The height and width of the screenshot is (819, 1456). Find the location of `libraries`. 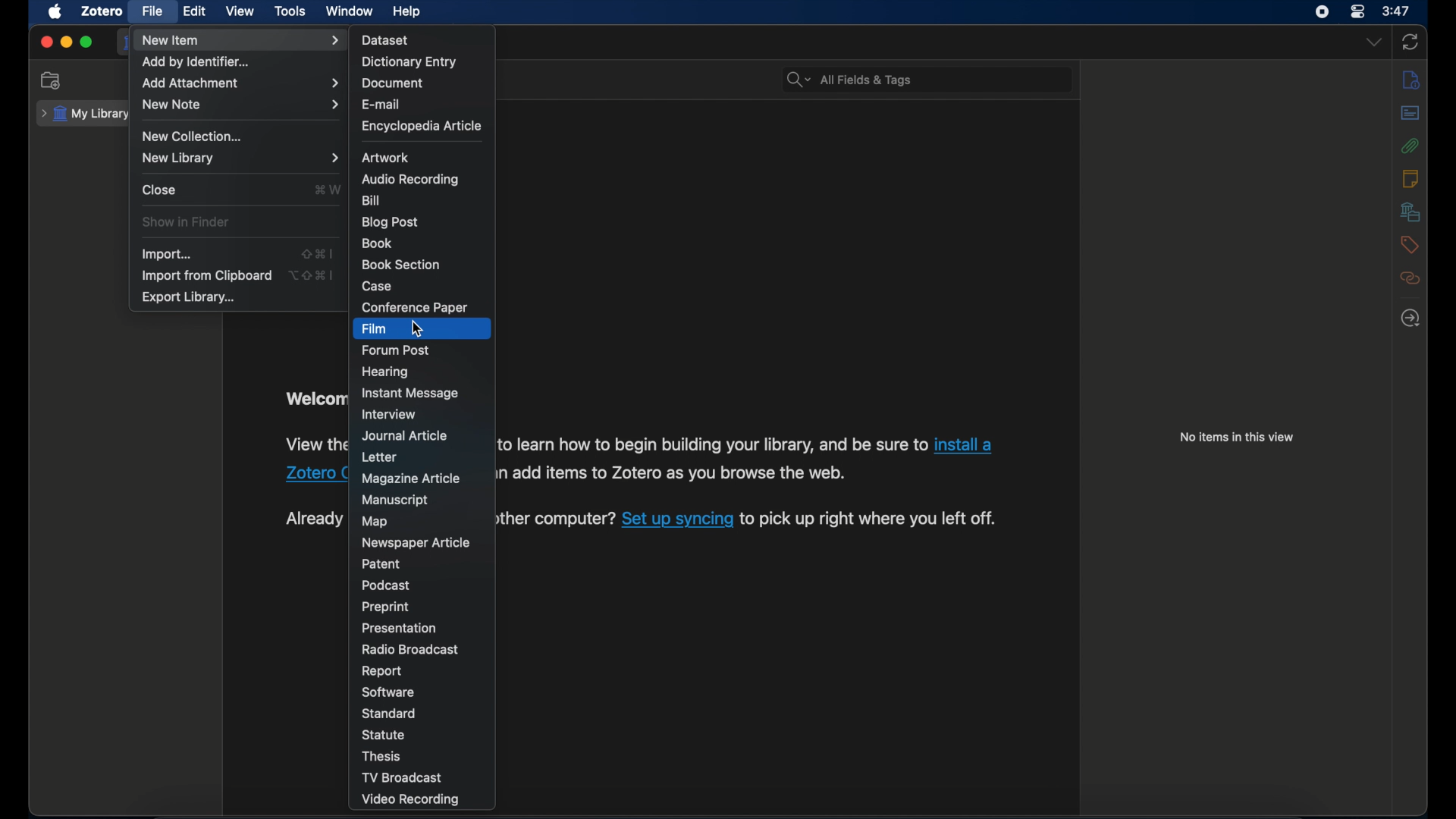

libraries is located at coordinates (1411, 212).